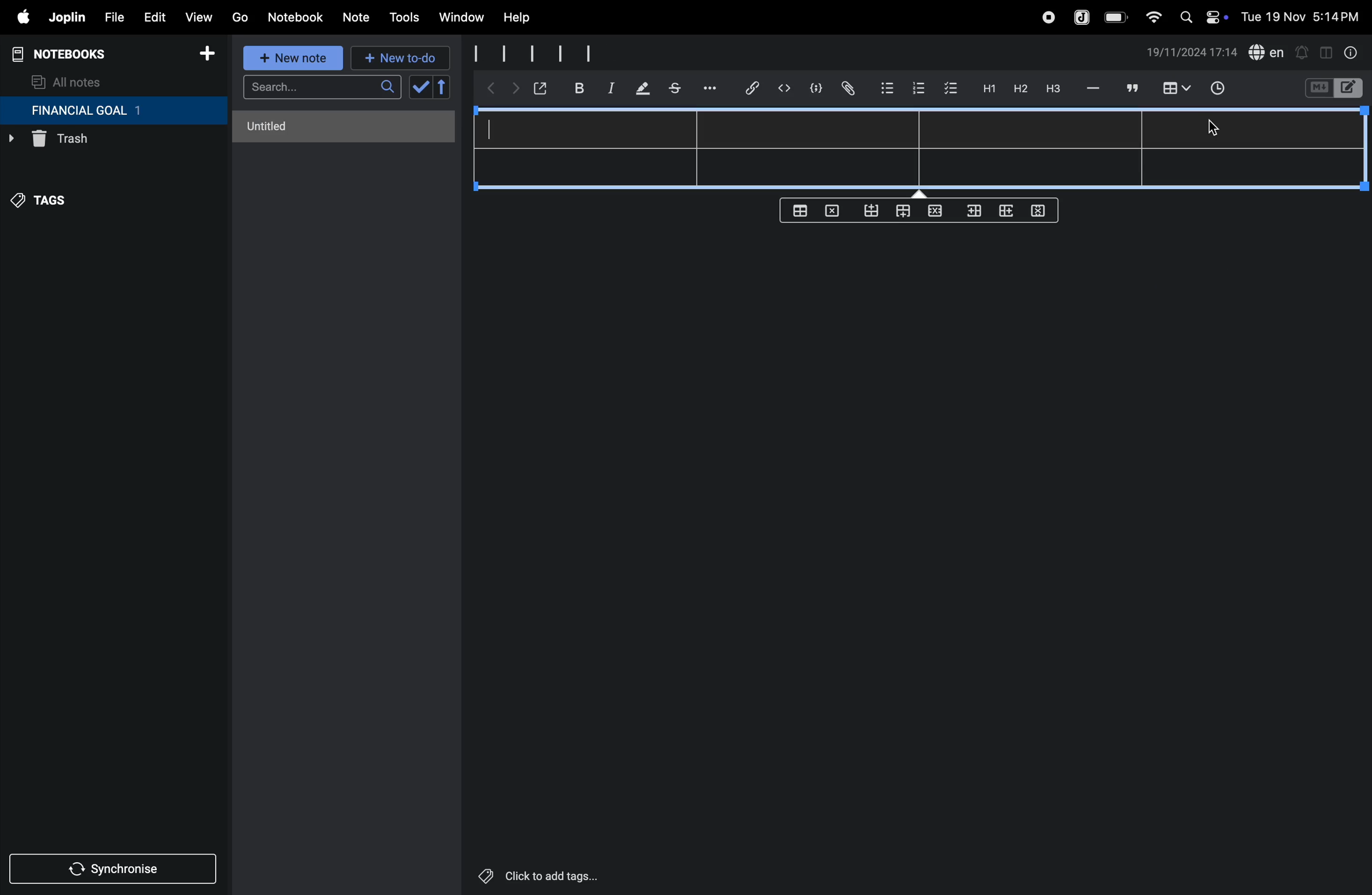  Describe the element at coordinates (110, 16) in the screenshot. I see `file` at that location.